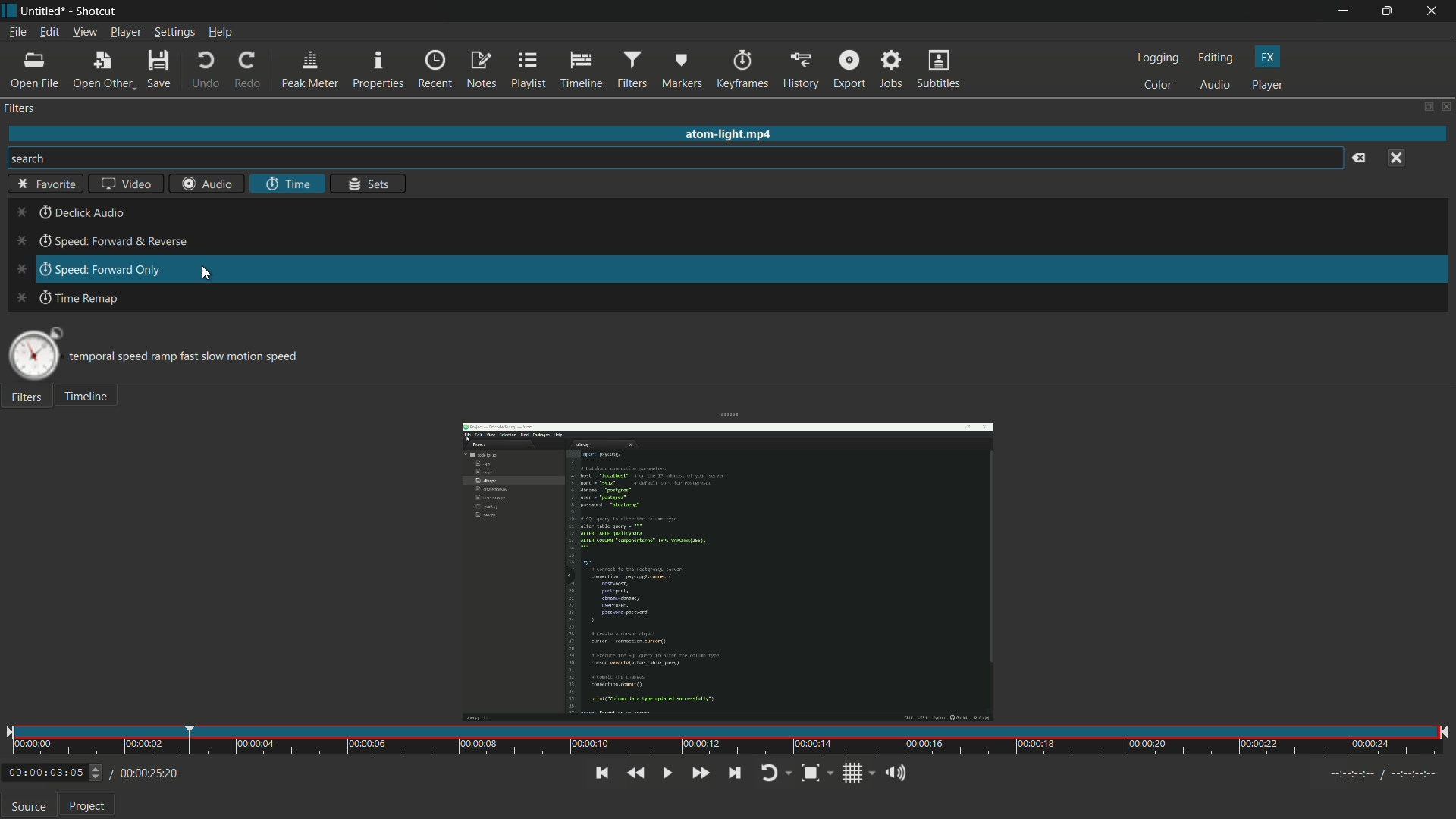 The width and height of the screenshot is (1456, 819). What do you see at coordinates (1367, 773) in the screenshot?
I see `Timecodes` at bounding box center [1367, 773].